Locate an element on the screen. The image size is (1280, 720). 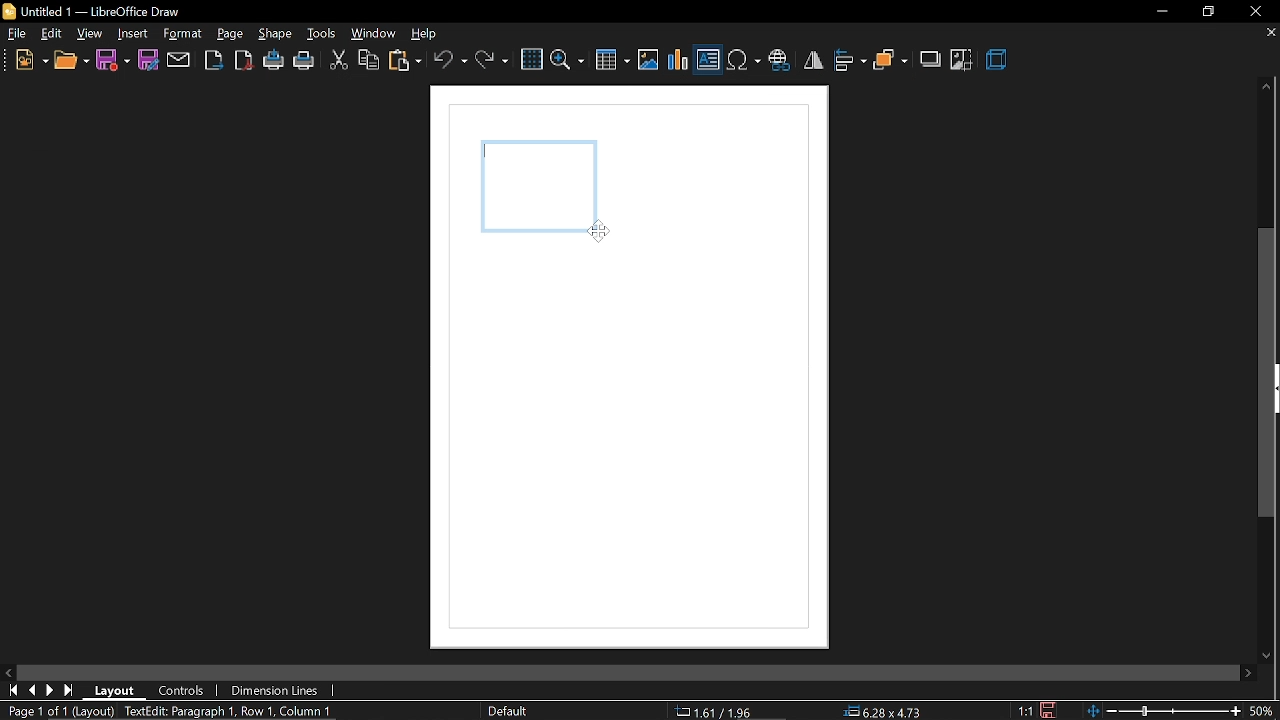
layout is located at coordinates (121, 692).